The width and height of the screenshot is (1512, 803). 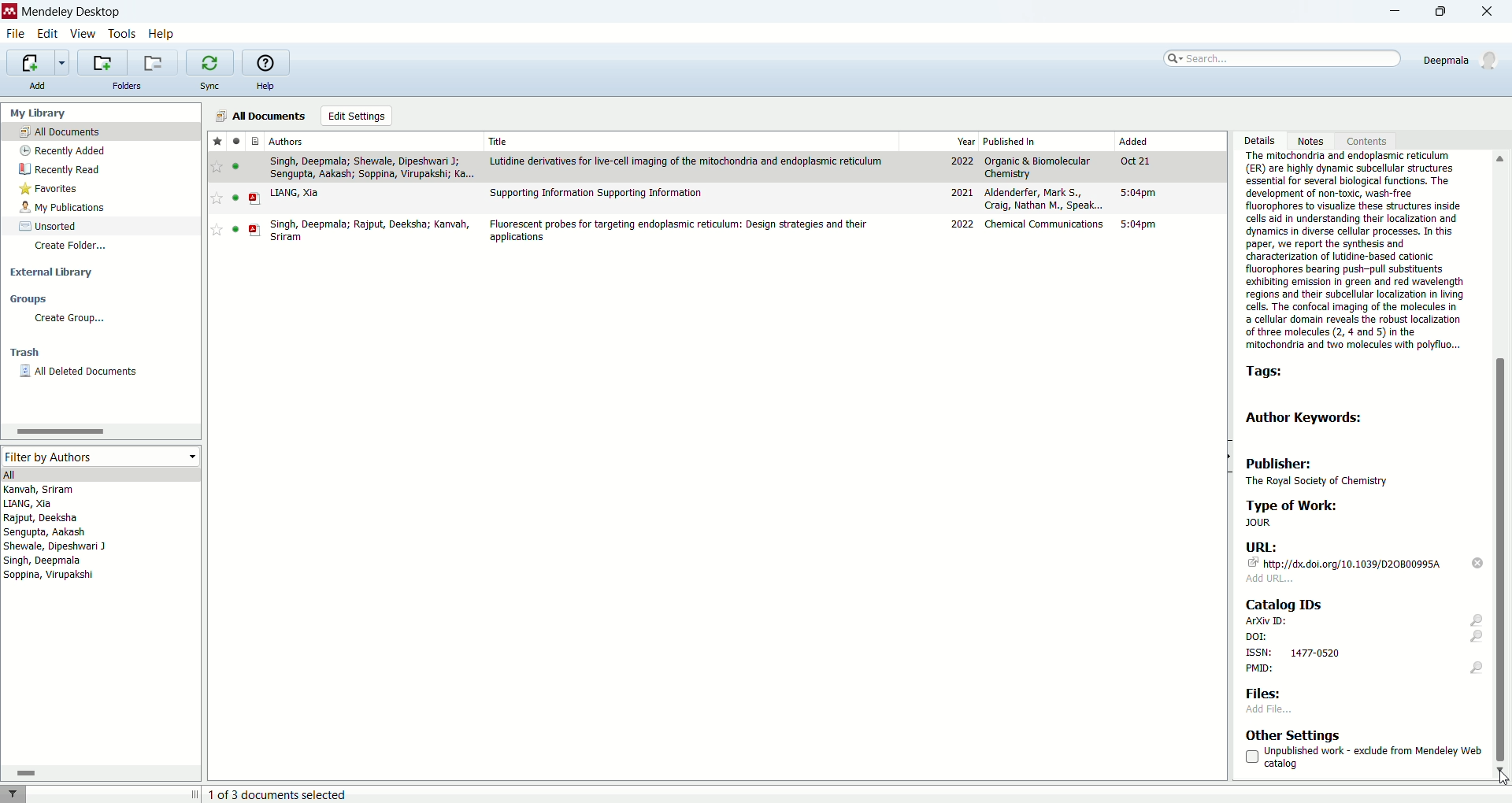 I want to click on all documents, so click(x=258, y=116).